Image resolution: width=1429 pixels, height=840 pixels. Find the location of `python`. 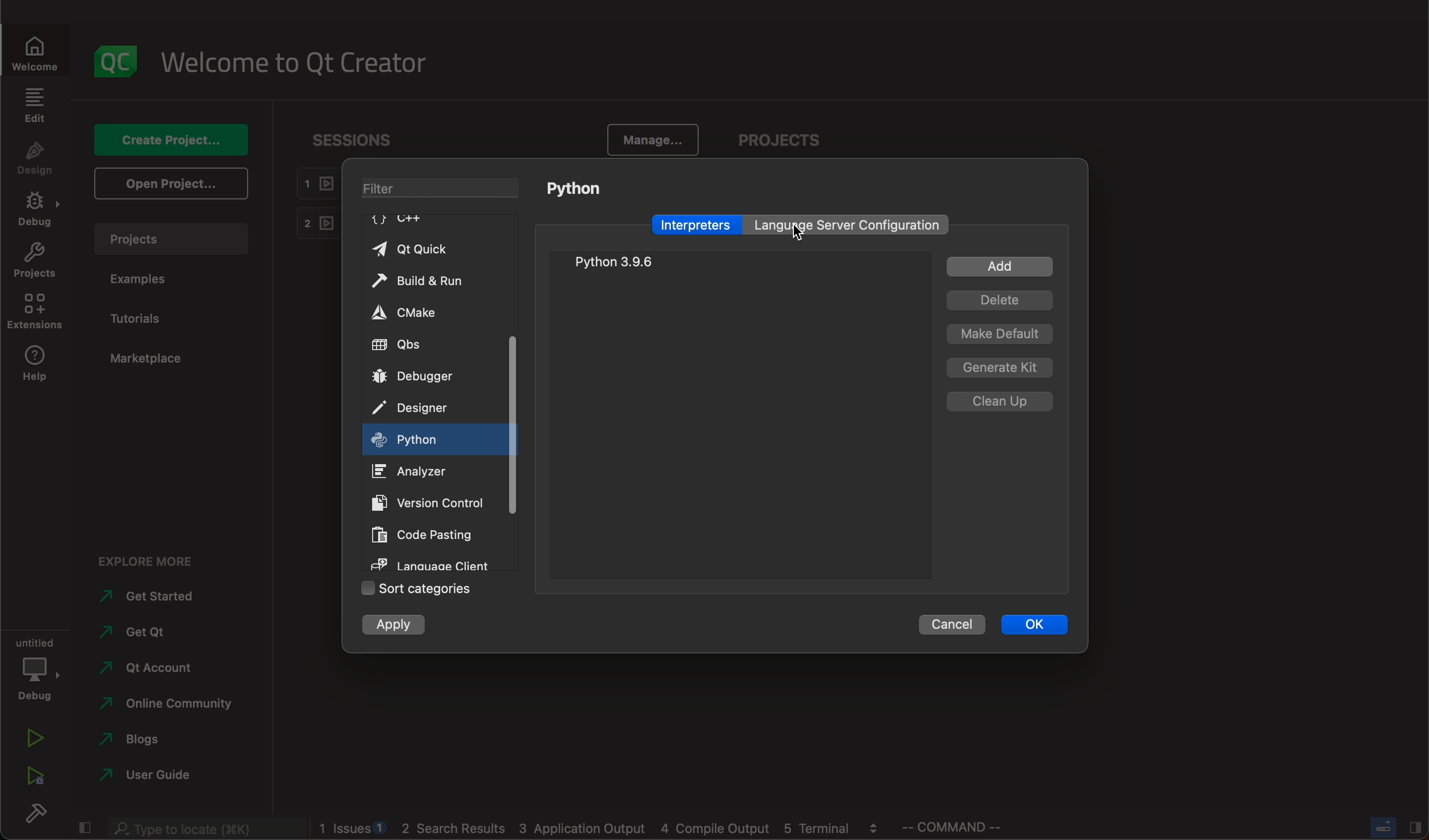

python is located at coordinates (620, 262).